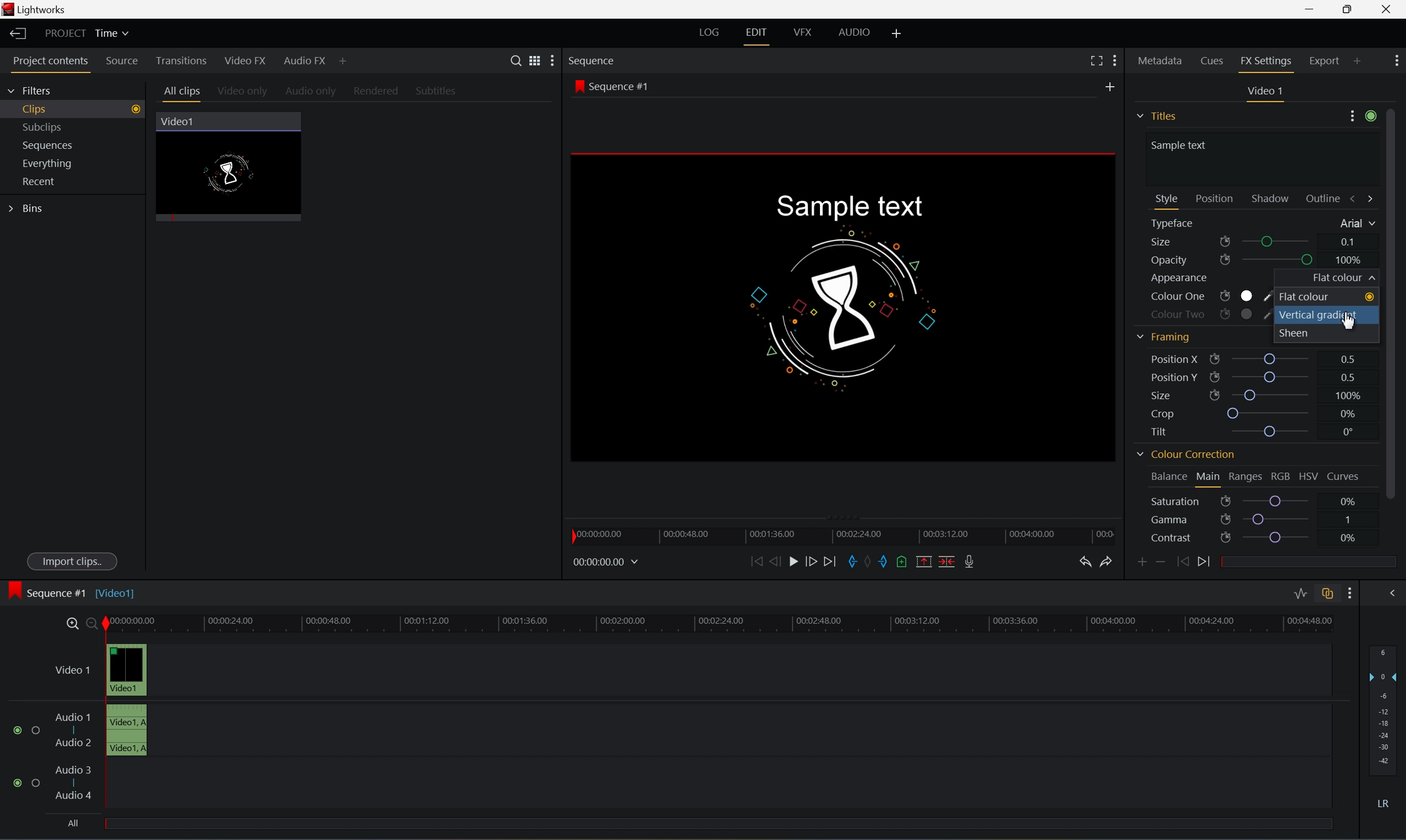  Describe the element at coordinates (1182, 144) in the screenshot. I see `sample text` at that location.